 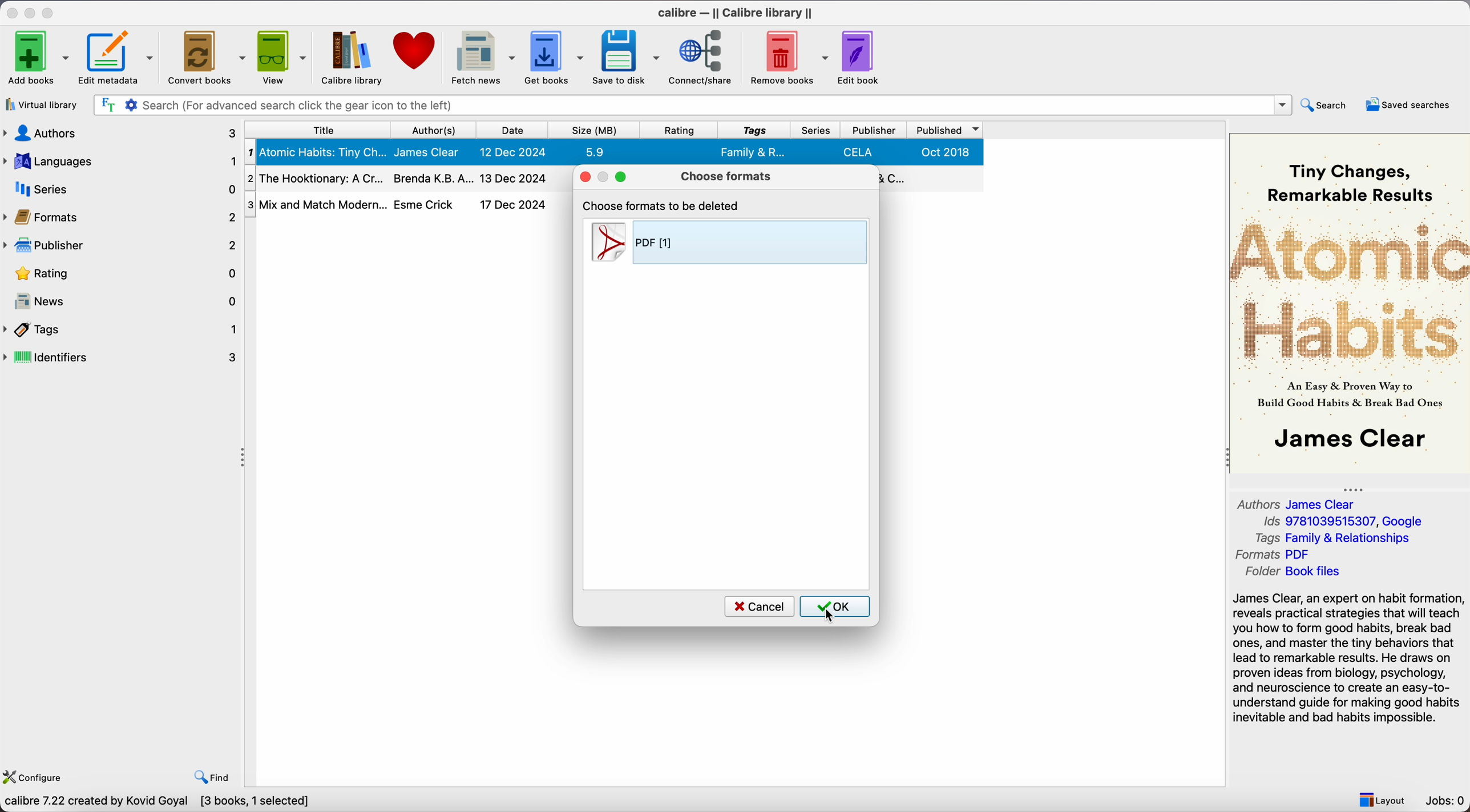 I want to click on save to disk, so click(x=628, y=57).